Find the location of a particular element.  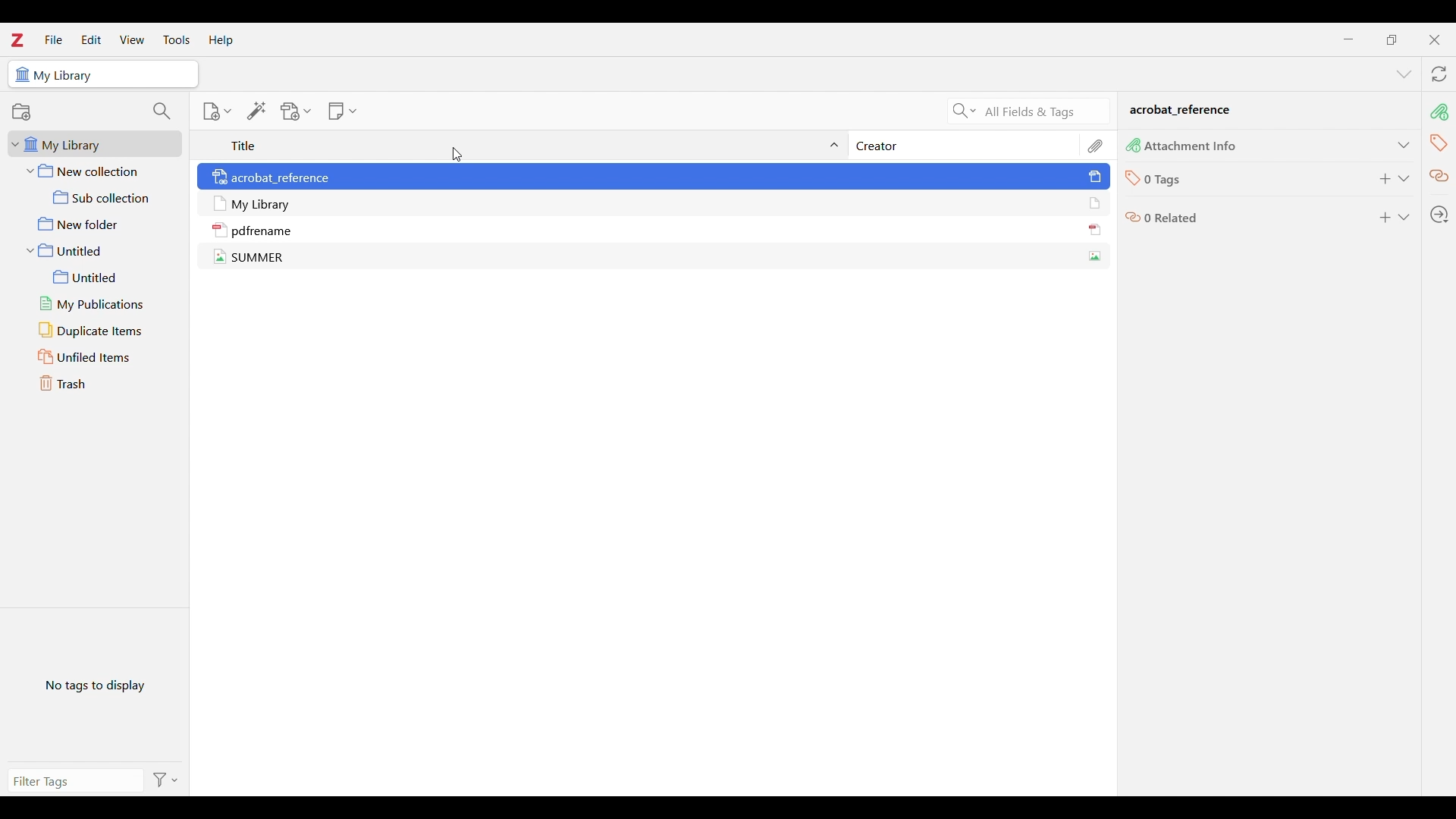

New note options is located at coordinates (343, 111).